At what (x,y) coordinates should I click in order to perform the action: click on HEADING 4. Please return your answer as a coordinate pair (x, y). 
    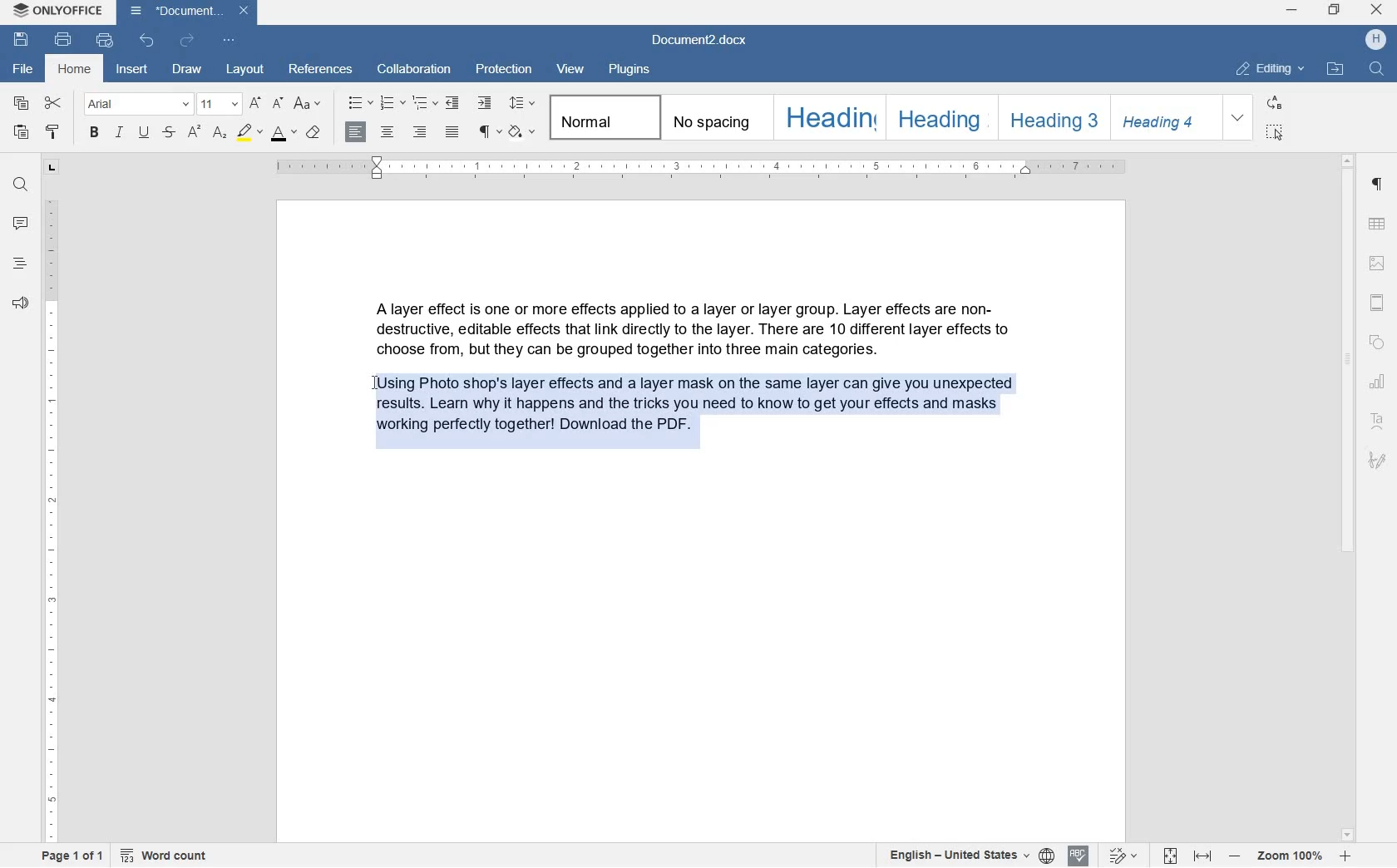
    Looking at the image, I should click on (1161, 118).